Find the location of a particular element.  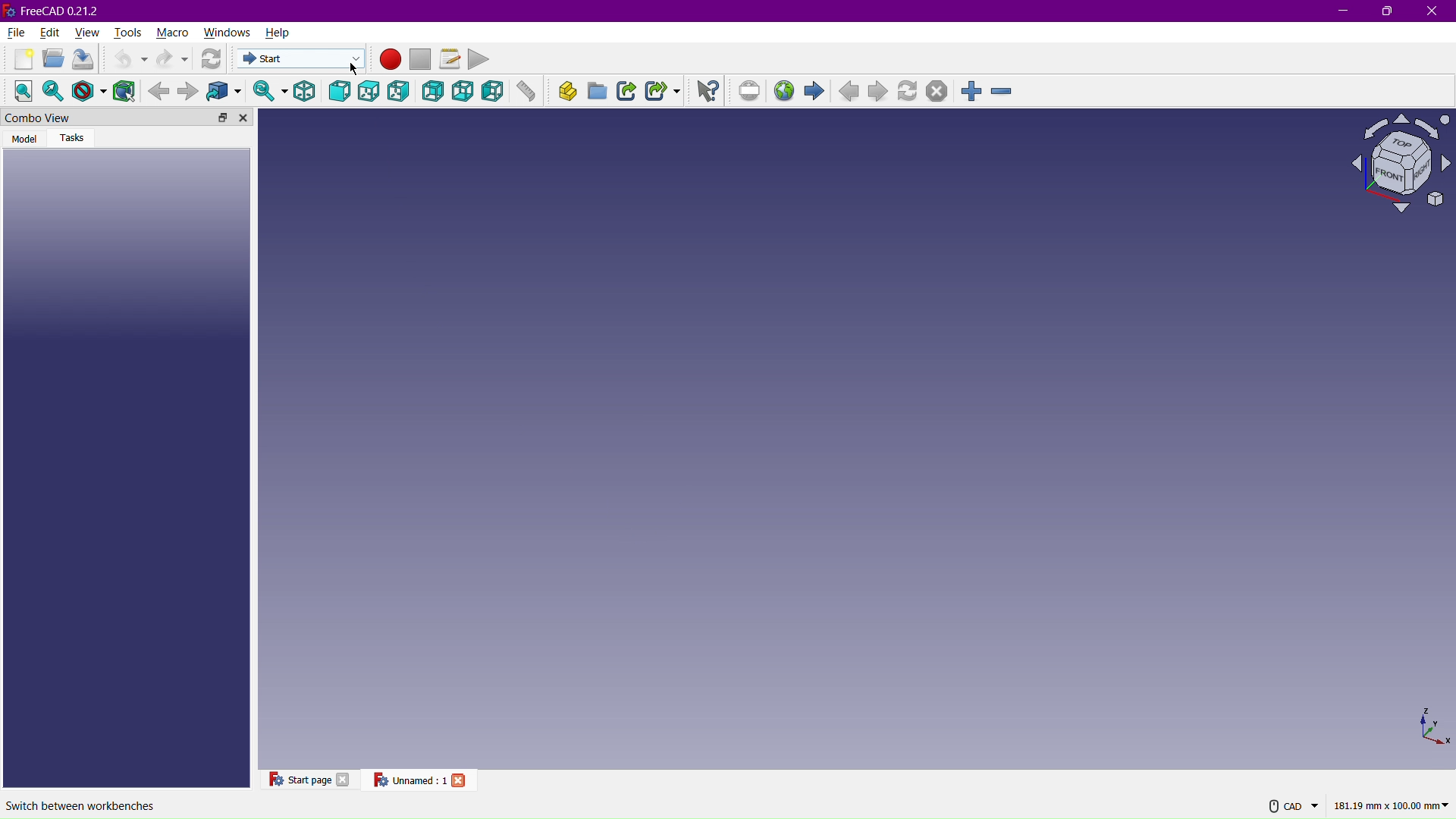

Redo is located at coordinates (174, 58).